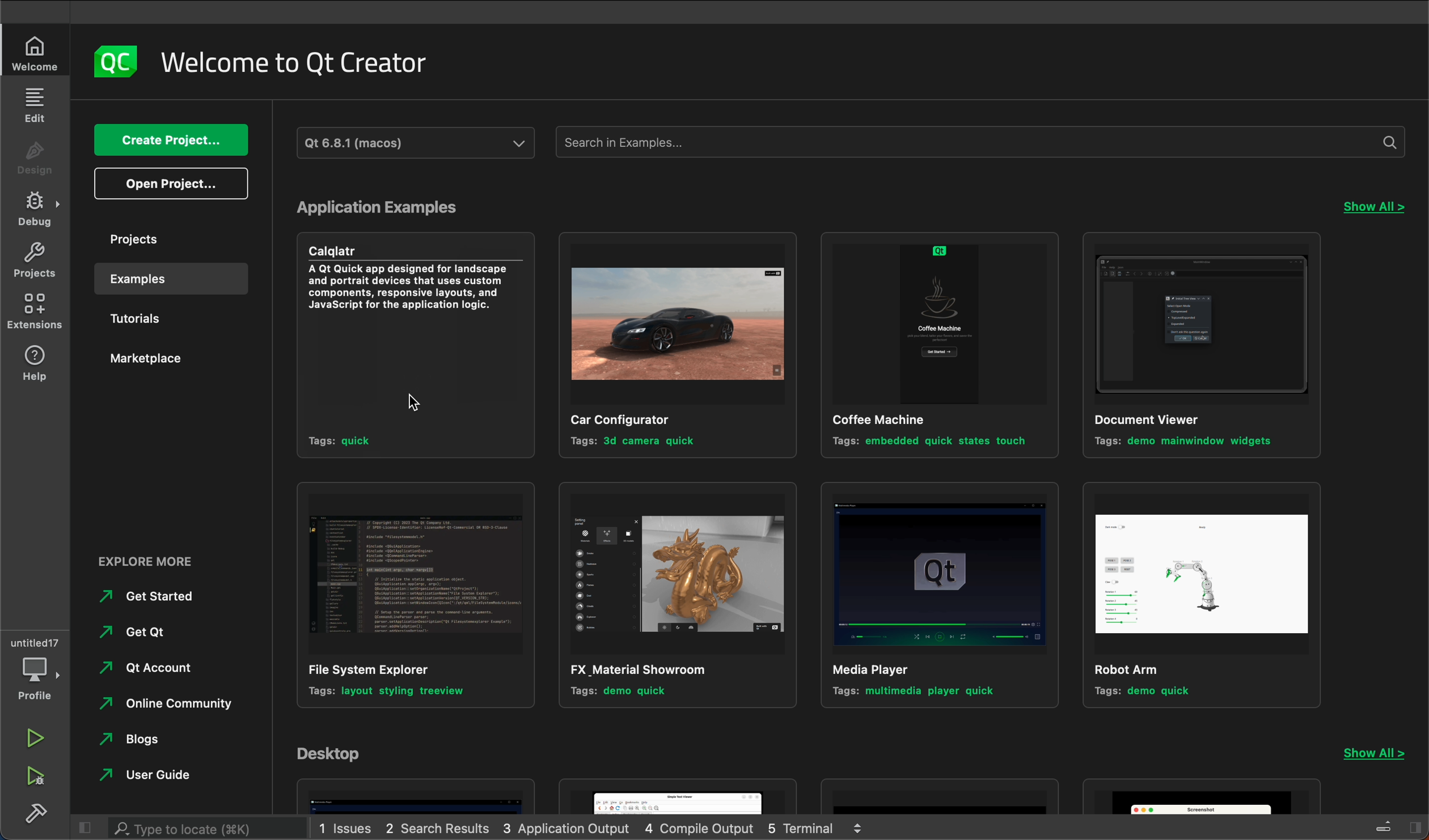 This screenshot has width=1429, height=840. What do you see at coordinates (166, 703) in the screenshot?
I see `online community` at bounding box center [166, 703].